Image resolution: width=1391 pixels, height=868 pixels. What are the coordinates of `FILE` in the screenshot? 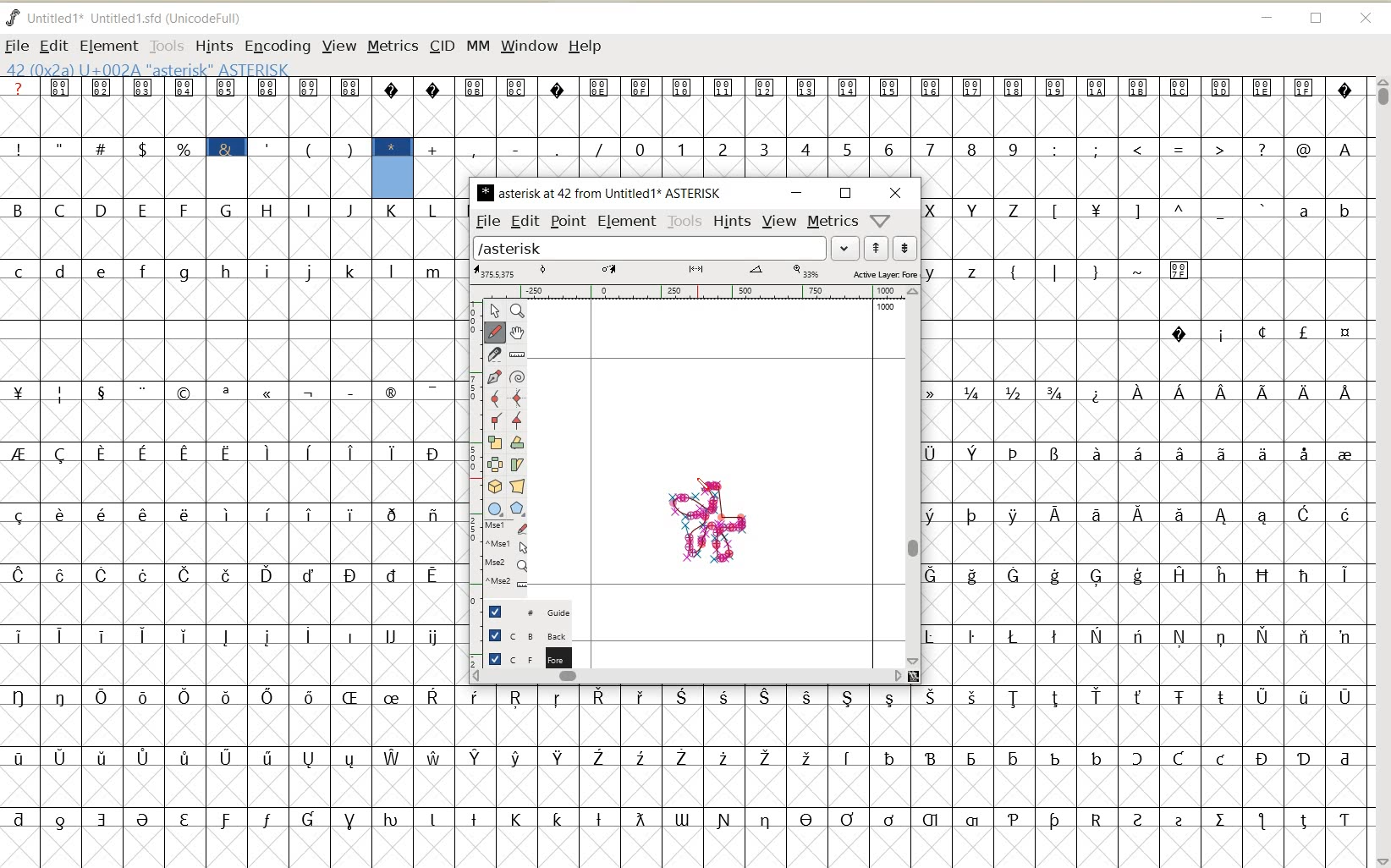 It's located at (487, 222).